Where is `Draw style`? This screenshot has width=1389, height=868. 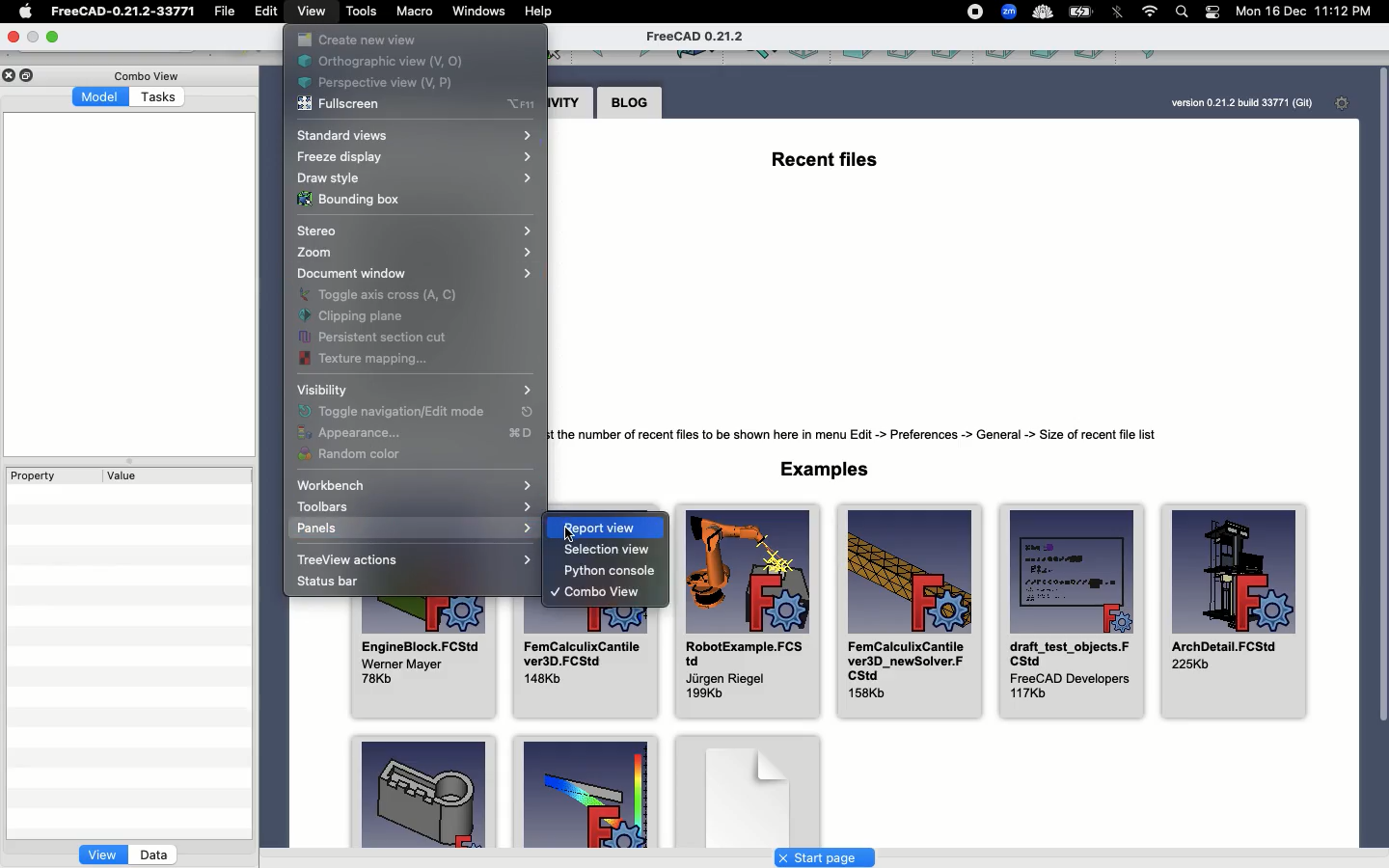
Draw style is located at coordinates (412, 178).